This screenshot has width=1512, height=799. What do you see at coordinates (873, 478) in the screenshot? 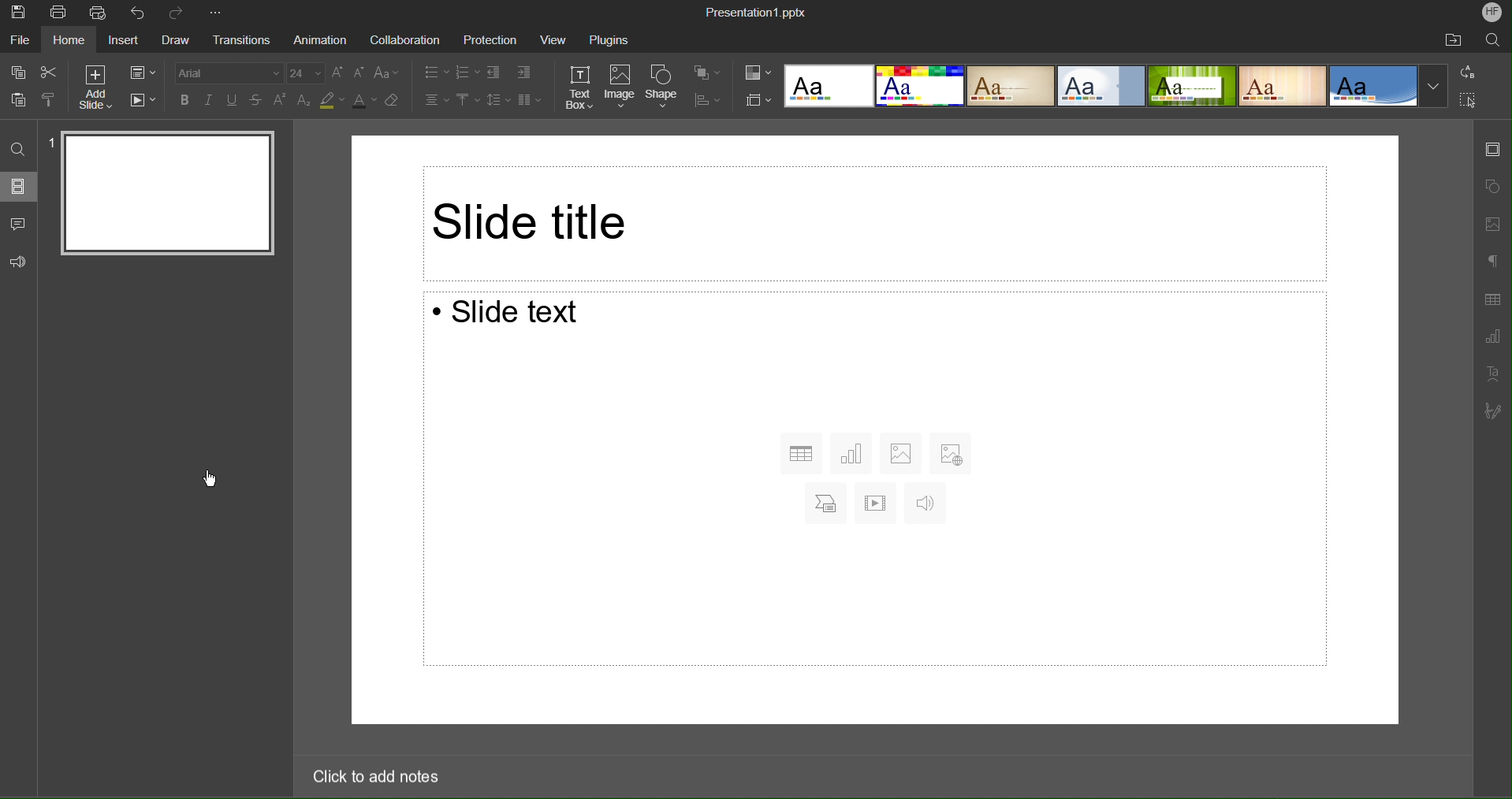
I see `slide text` at bounding box center [873, 478].